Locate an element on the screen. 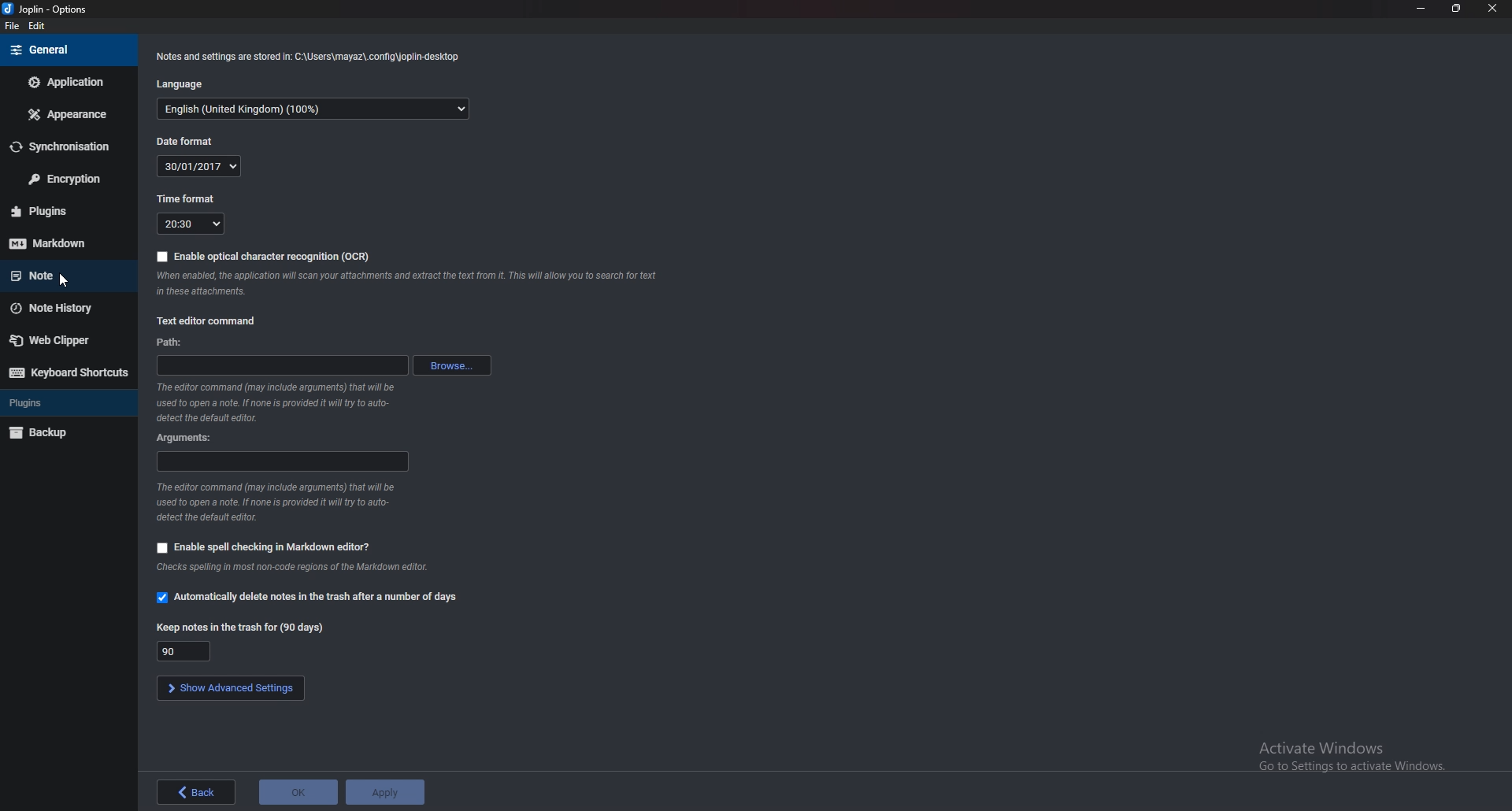 The height and width of the screenshot is (811, 1512). text editor Command is located at coordinates (209, 321).